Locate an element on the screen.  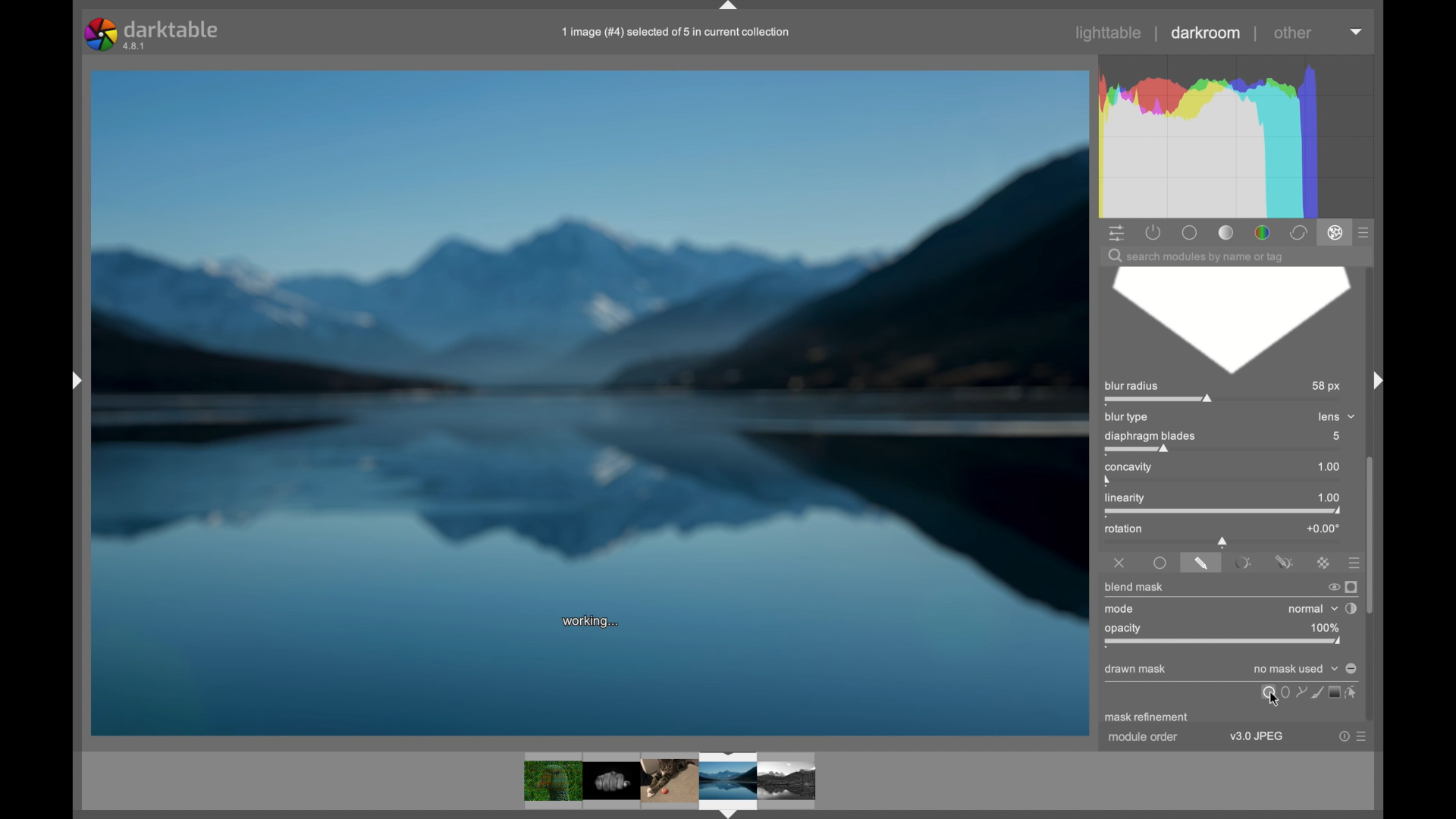
rotation is located at coordinates (1124, 529).